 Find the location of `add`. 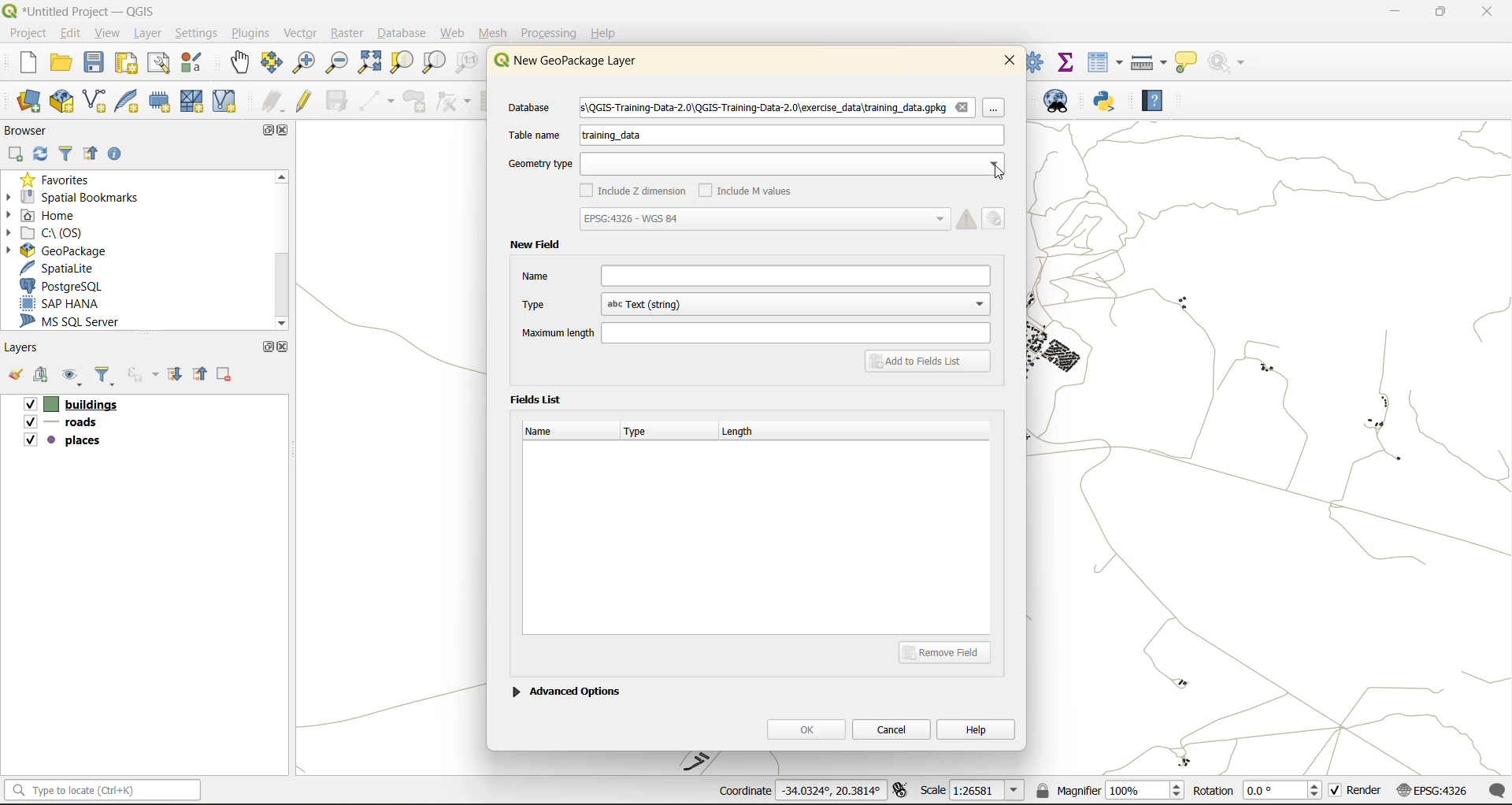

add is located at coordinates (43, 377).